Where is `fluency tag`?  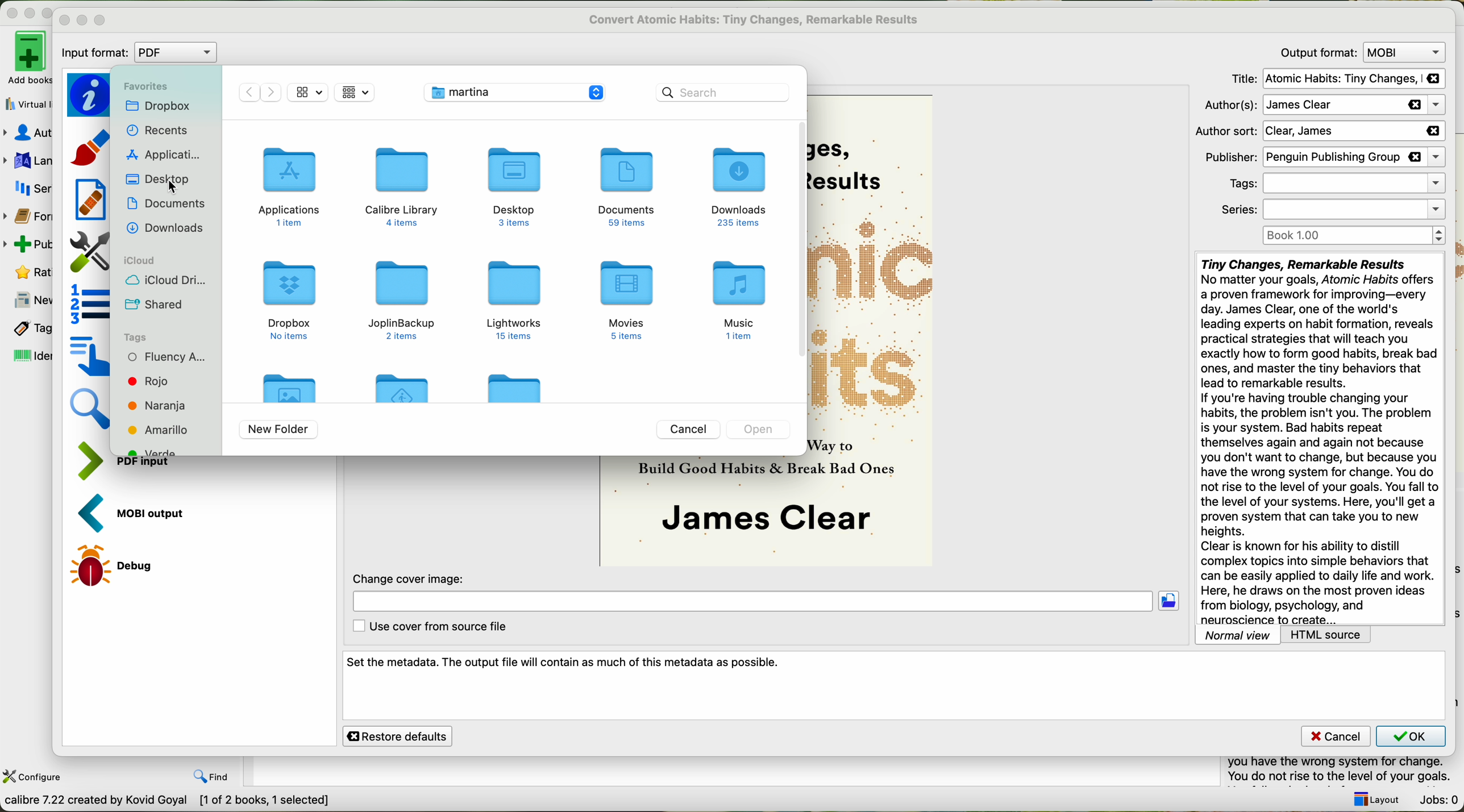
fluency tag is located at coordinates (167, 357).